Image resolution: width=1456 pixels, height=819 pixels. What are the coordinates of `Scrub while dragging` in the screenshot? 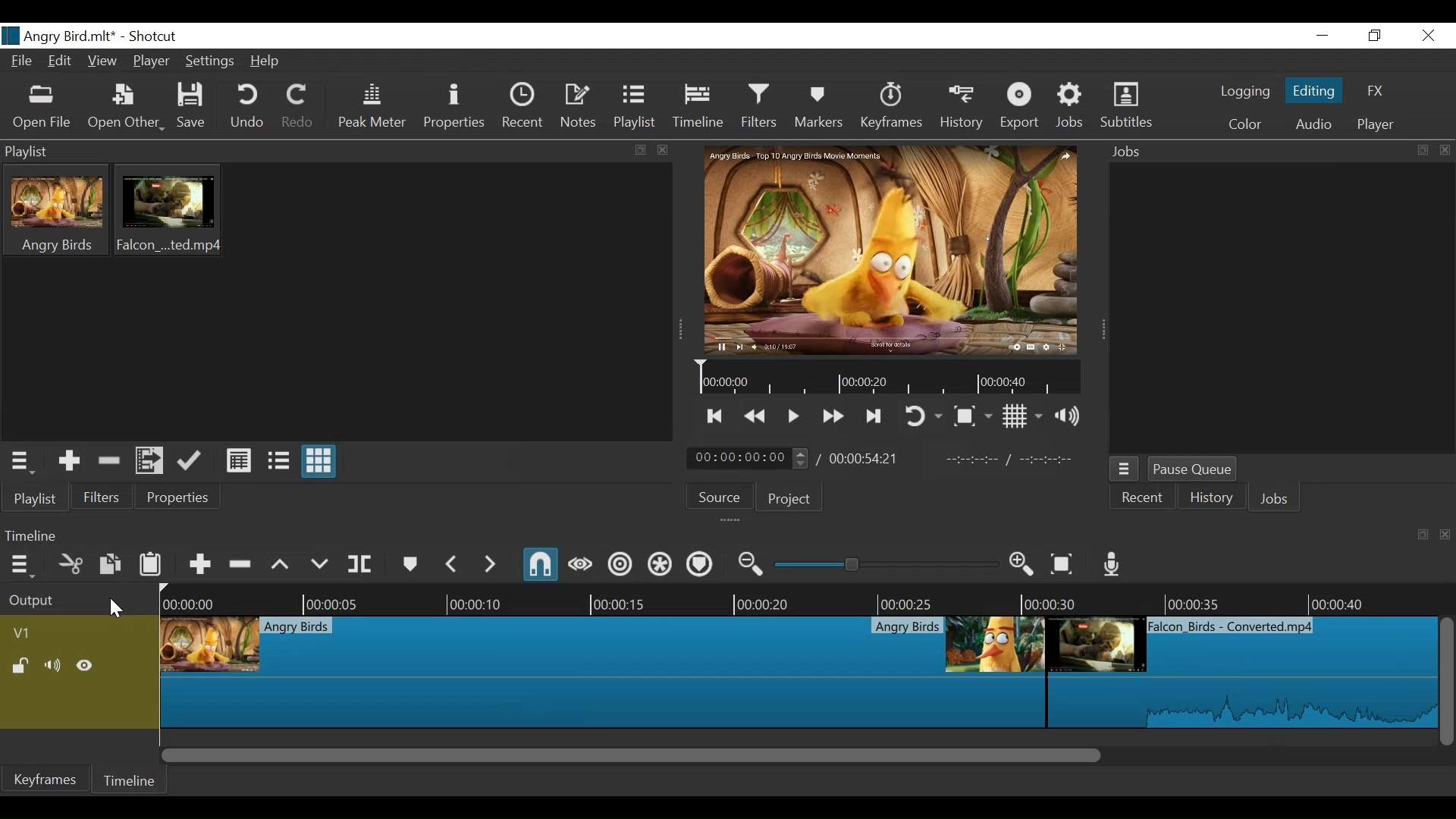 It's located at (580, 565).